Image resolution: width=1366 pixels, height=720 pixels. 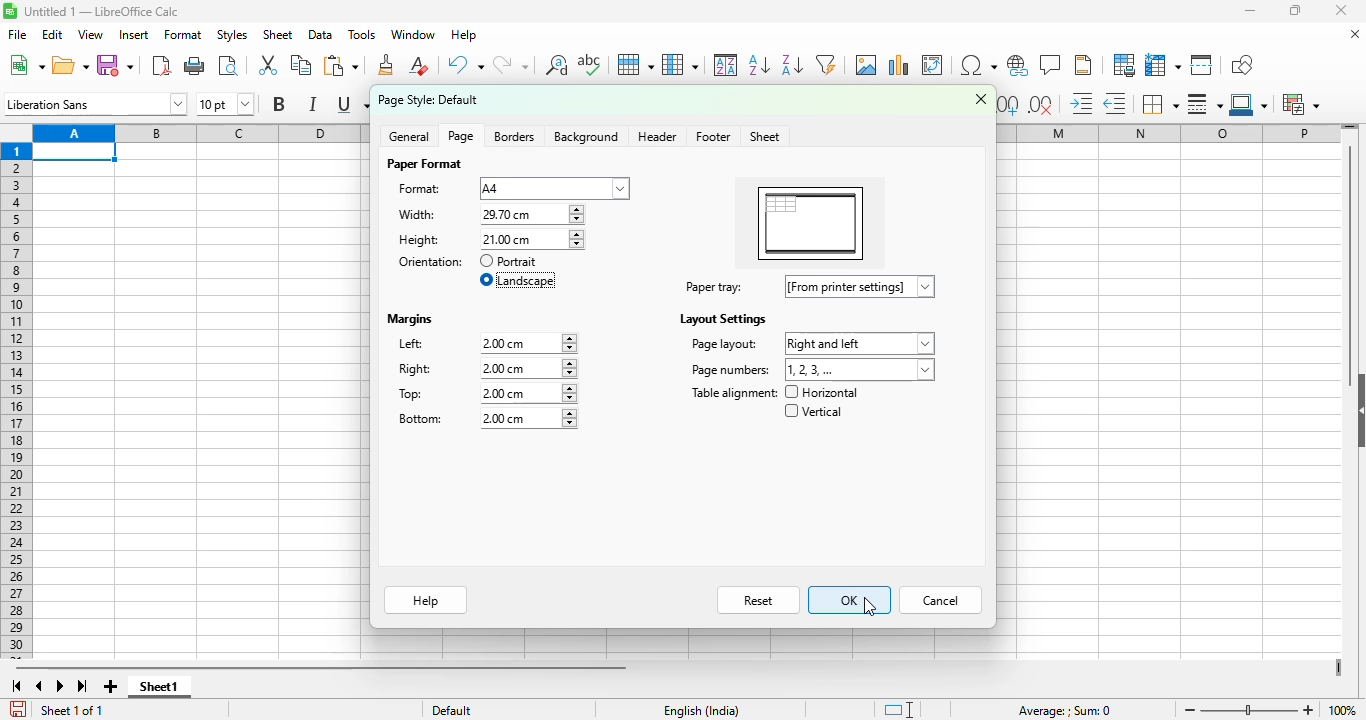 What do you see at coordinates (1115, 104) in the screenshot?
I see `decrease indent` at bounding box center [1115, 104].